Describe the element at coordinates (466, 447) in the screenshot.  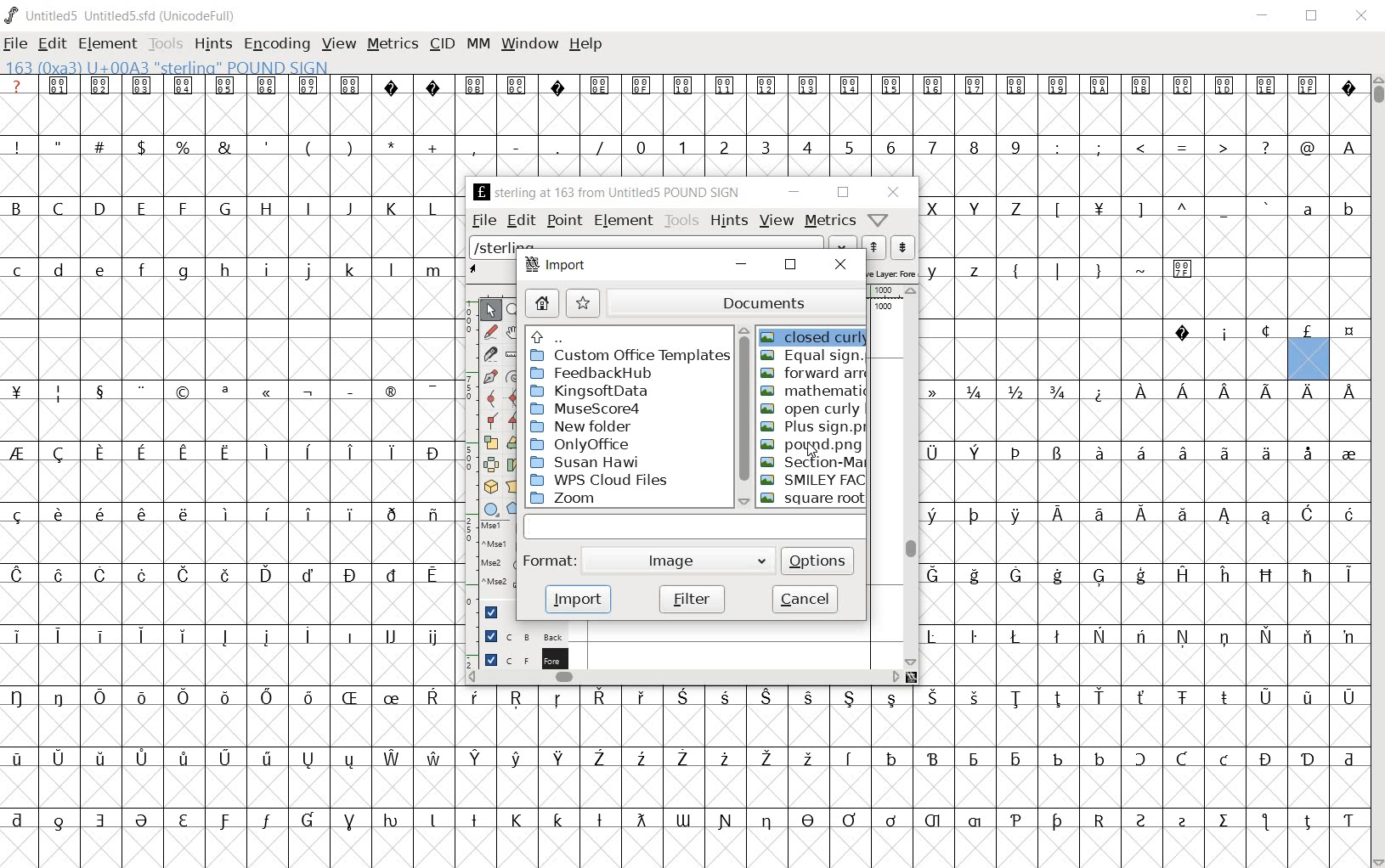
I see `scale` at that location.